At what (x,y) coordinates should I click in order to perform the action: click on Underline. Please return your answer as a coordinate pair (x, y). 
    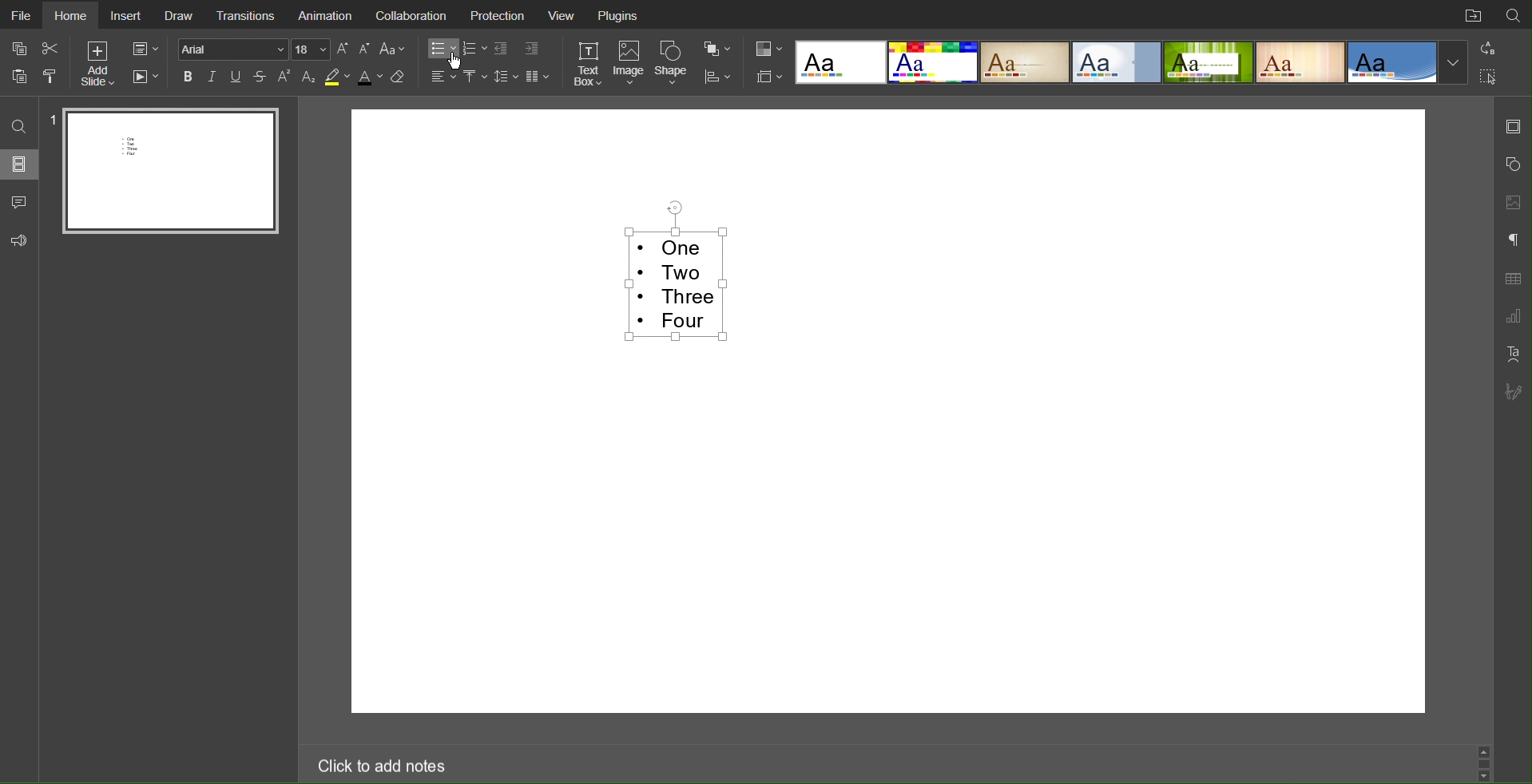
    Looking at the image, I should click on (237, 77).